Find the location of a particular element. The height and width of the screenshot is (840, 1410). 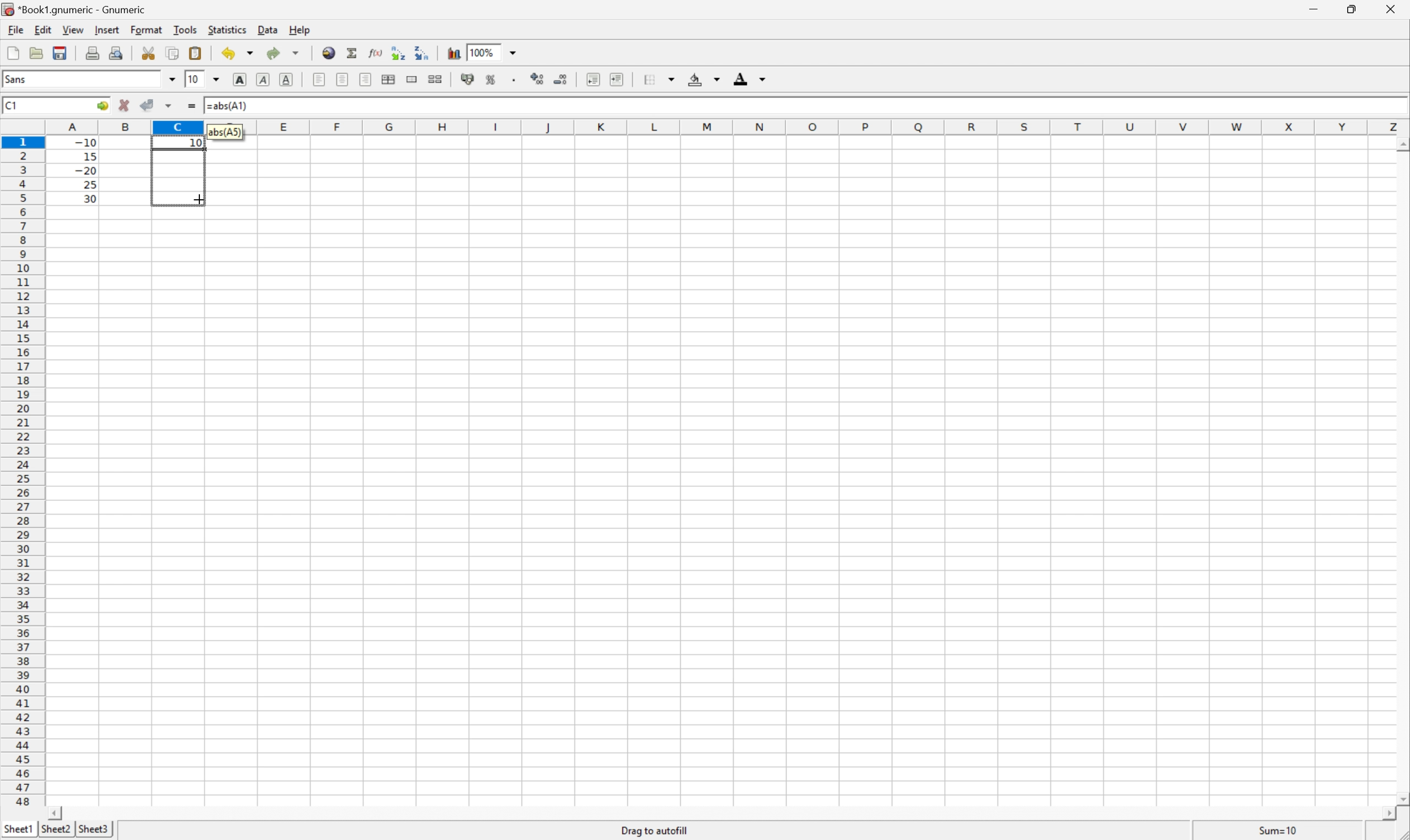

C1 is located at coordinates (12, 104).